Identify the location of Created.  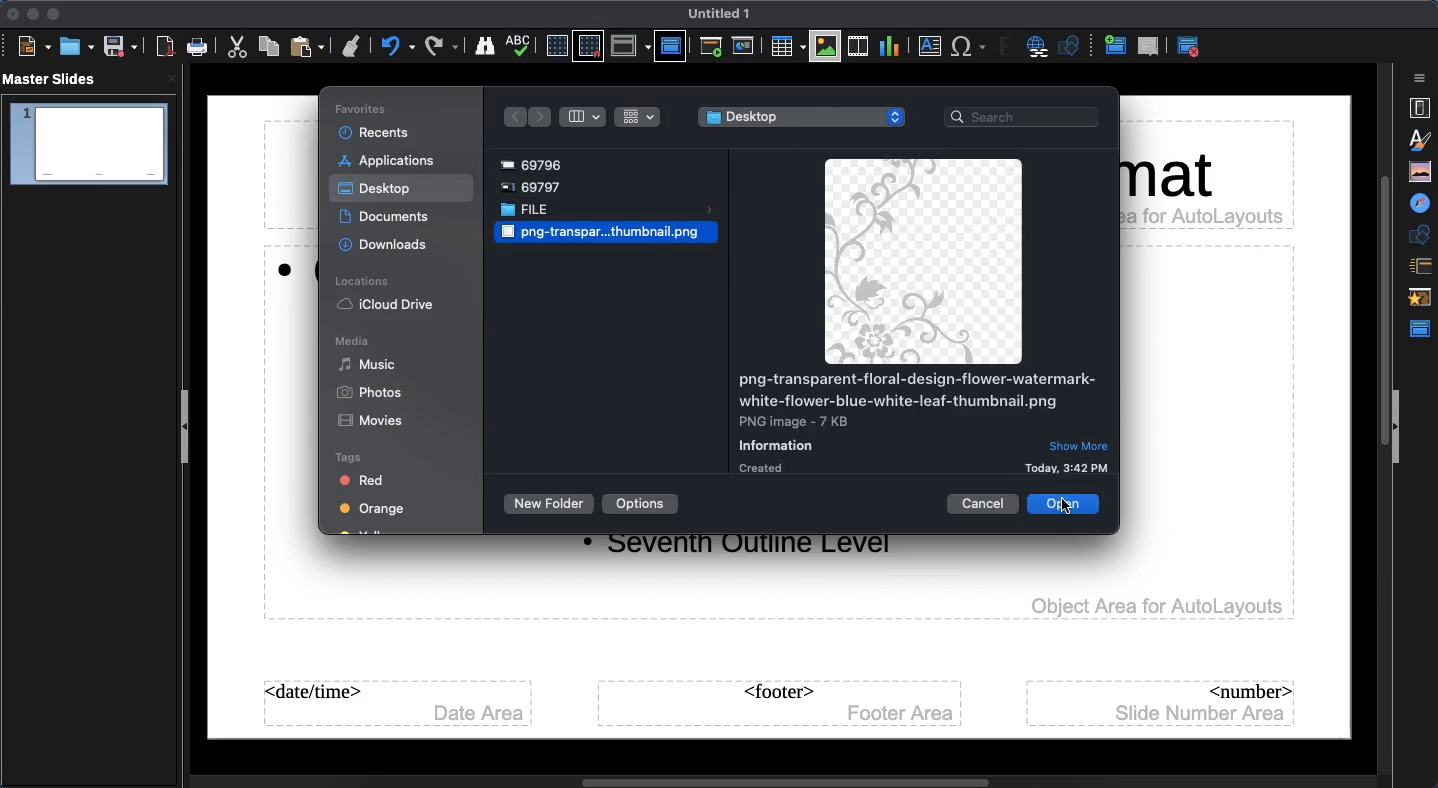
(765, 469).